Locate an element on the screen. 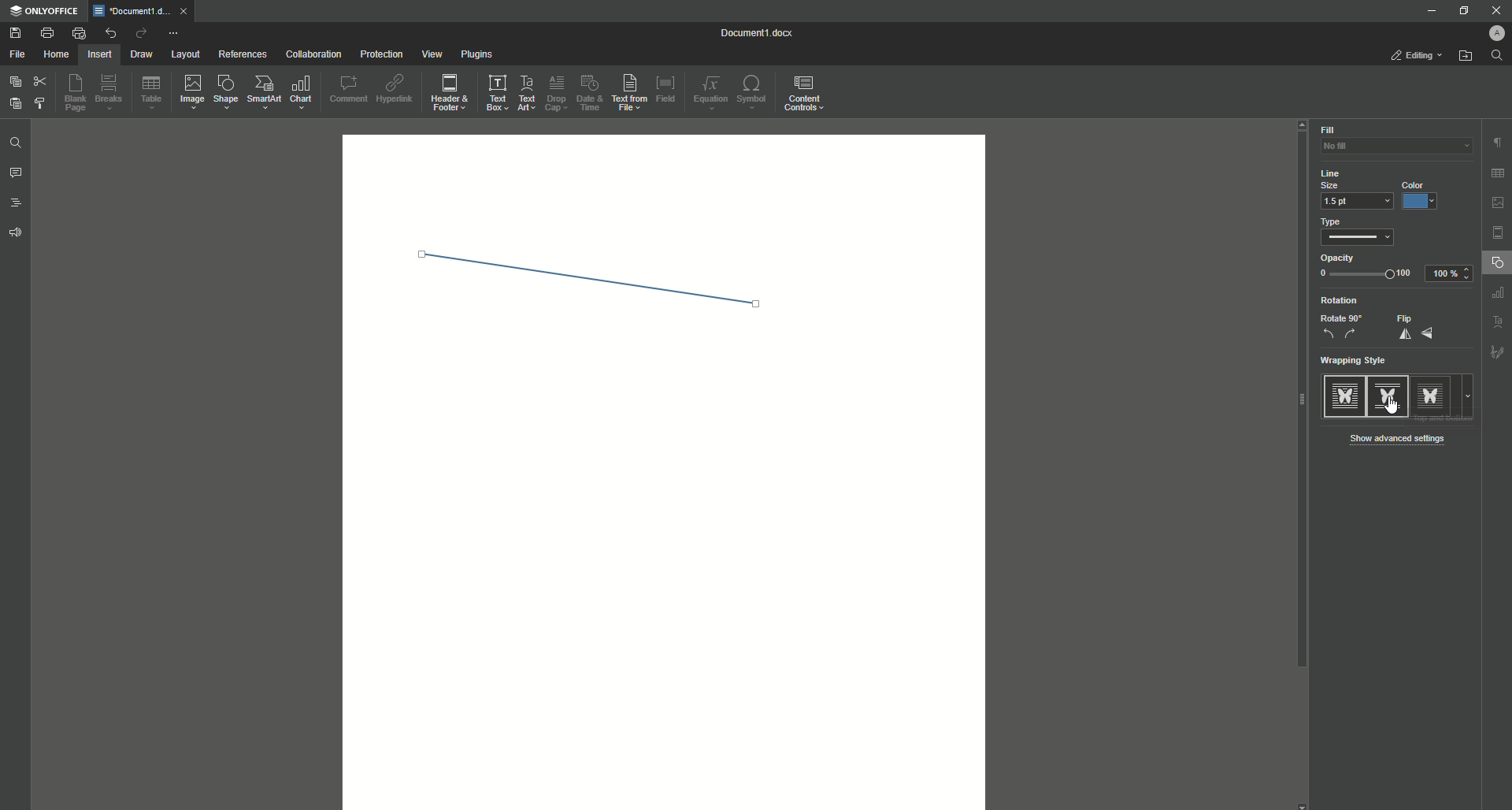 This screenshot has height=810, width=1512. Paste is located at coordinates (13, 105).